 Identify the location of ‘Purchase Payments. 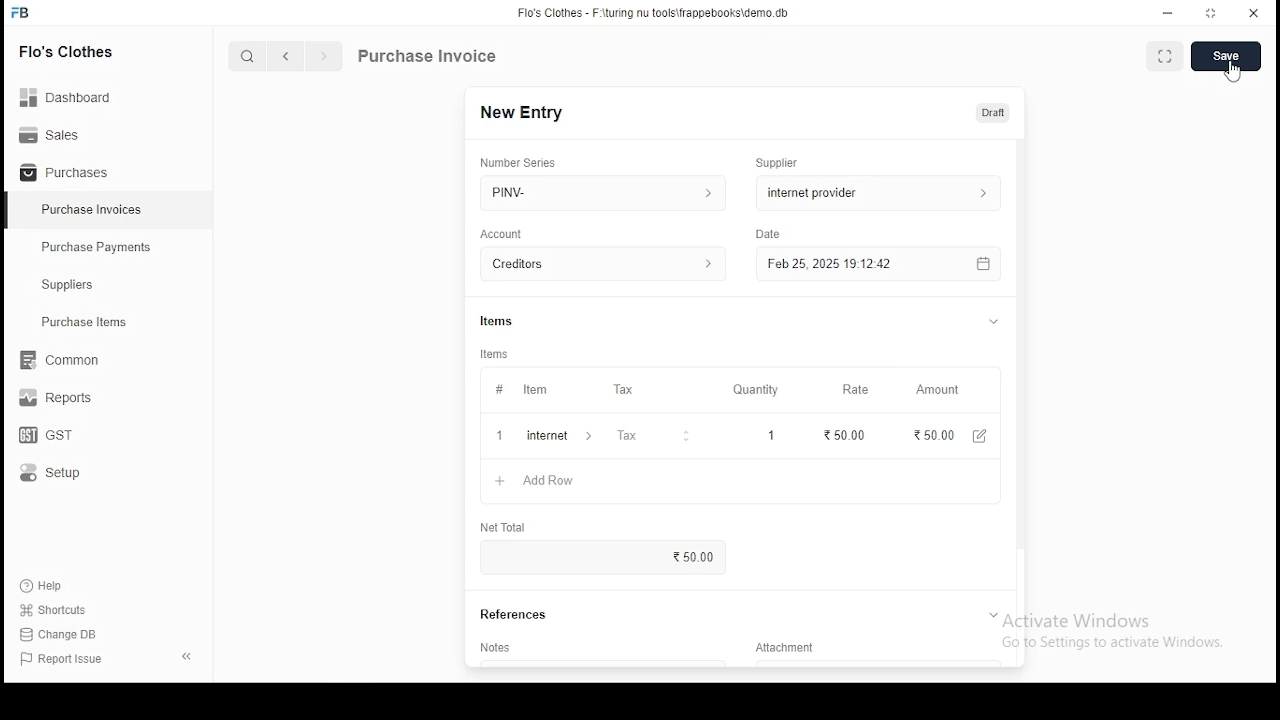
(98, 247).